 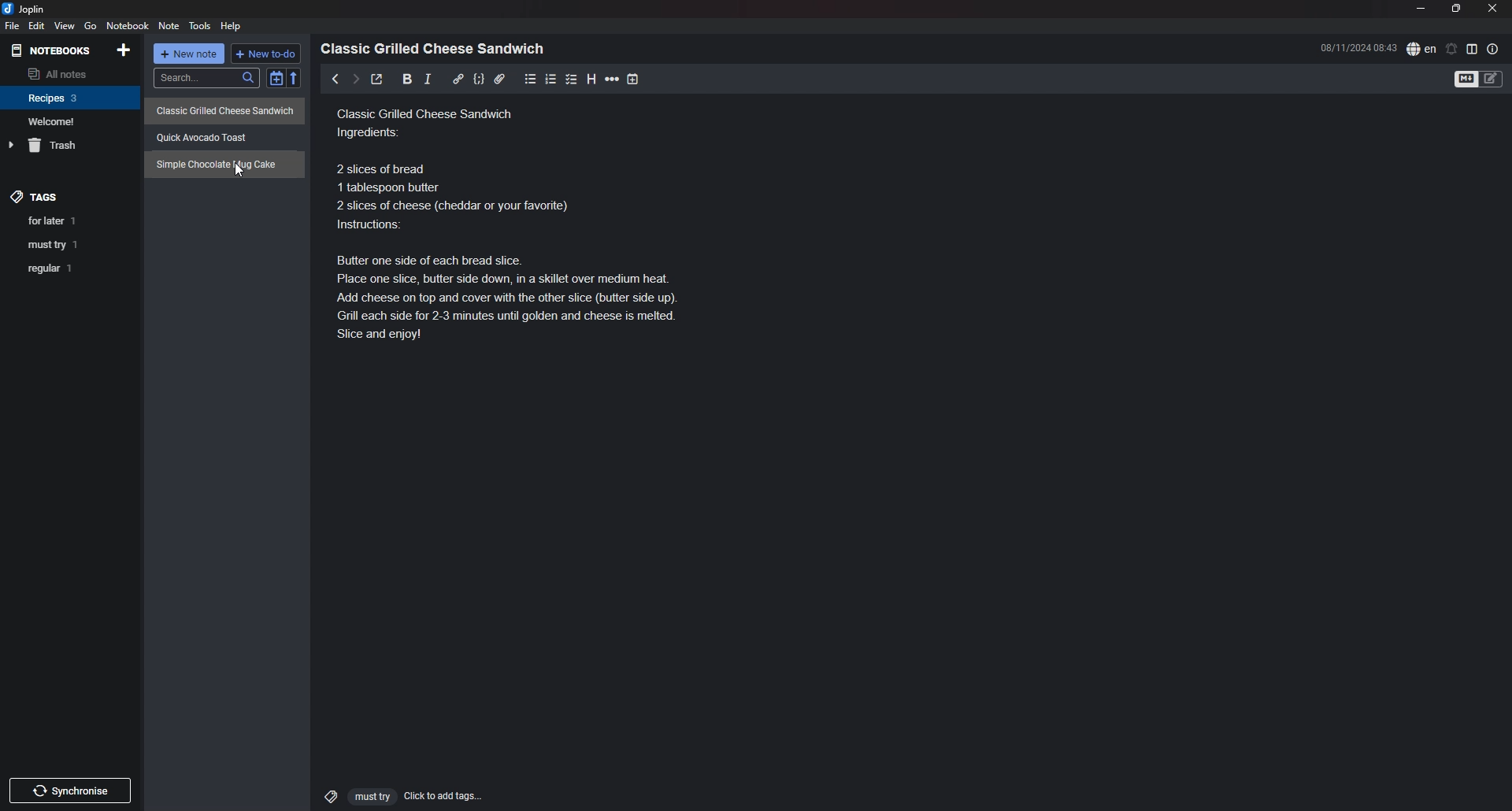 I want to click on Classic grilled cheese sandwich ingredients, so click(x=522, y=225).